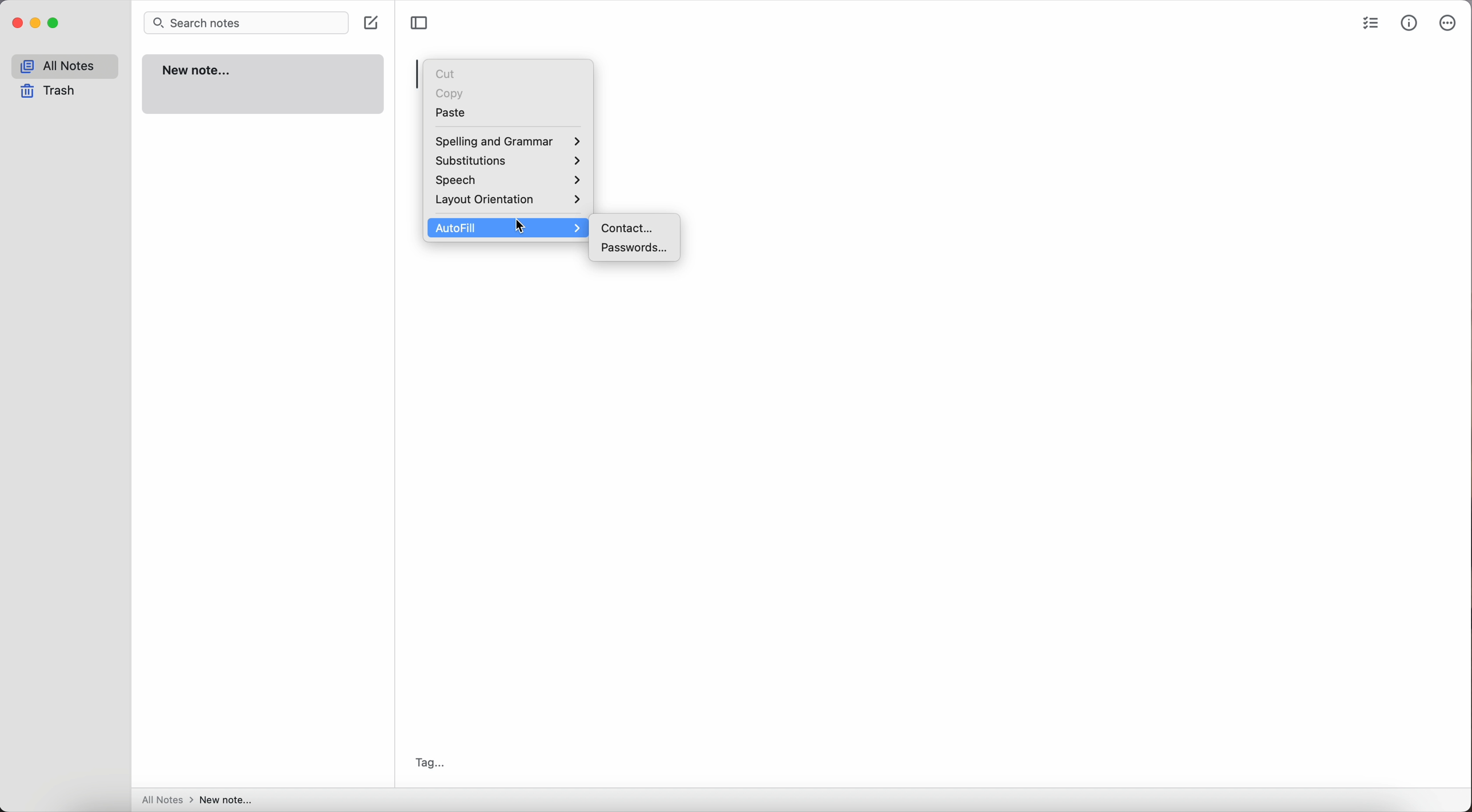 The image size is (1472, 812). I want to click on paste, so click(452, 113).